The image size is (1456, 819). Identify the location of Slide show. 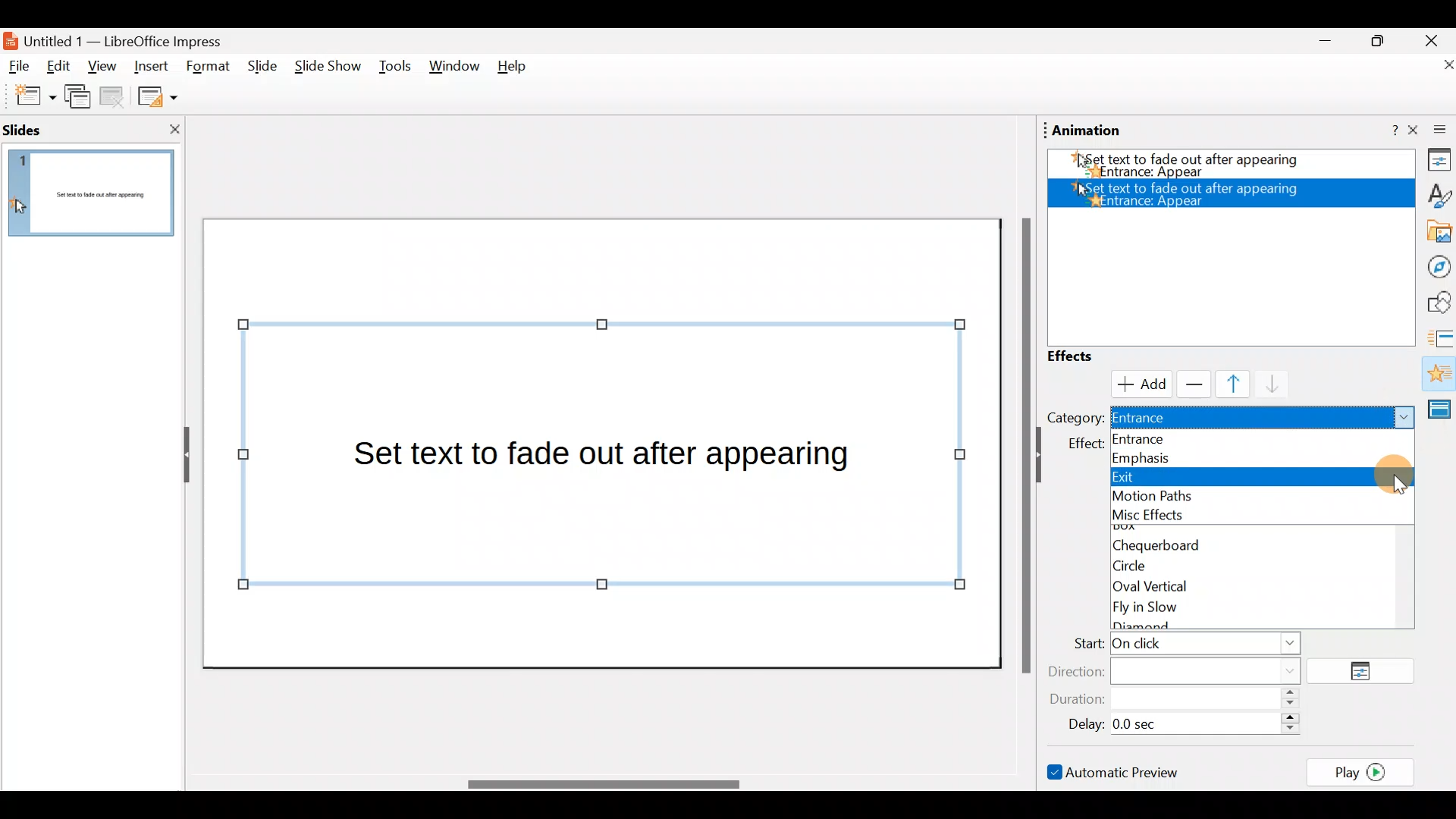
(326, 70).